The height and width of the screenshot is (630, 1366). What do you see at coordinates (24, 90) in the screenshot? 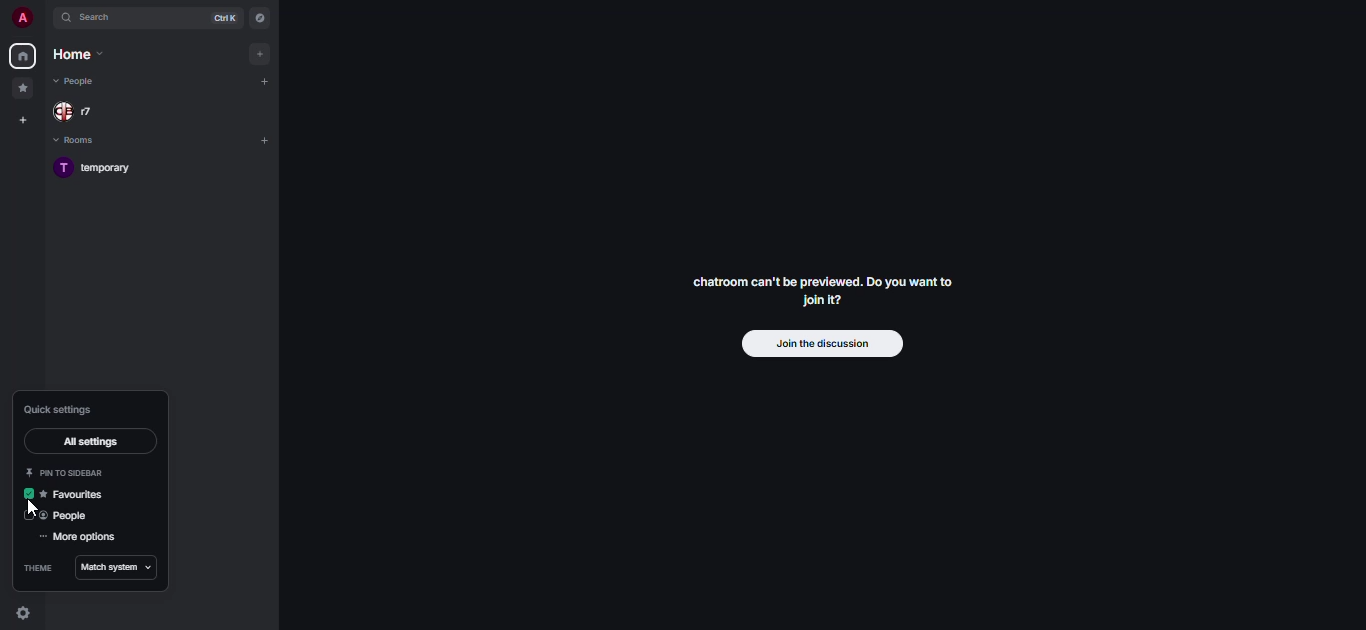
I see `favorites` at bounding box center [24, 90].